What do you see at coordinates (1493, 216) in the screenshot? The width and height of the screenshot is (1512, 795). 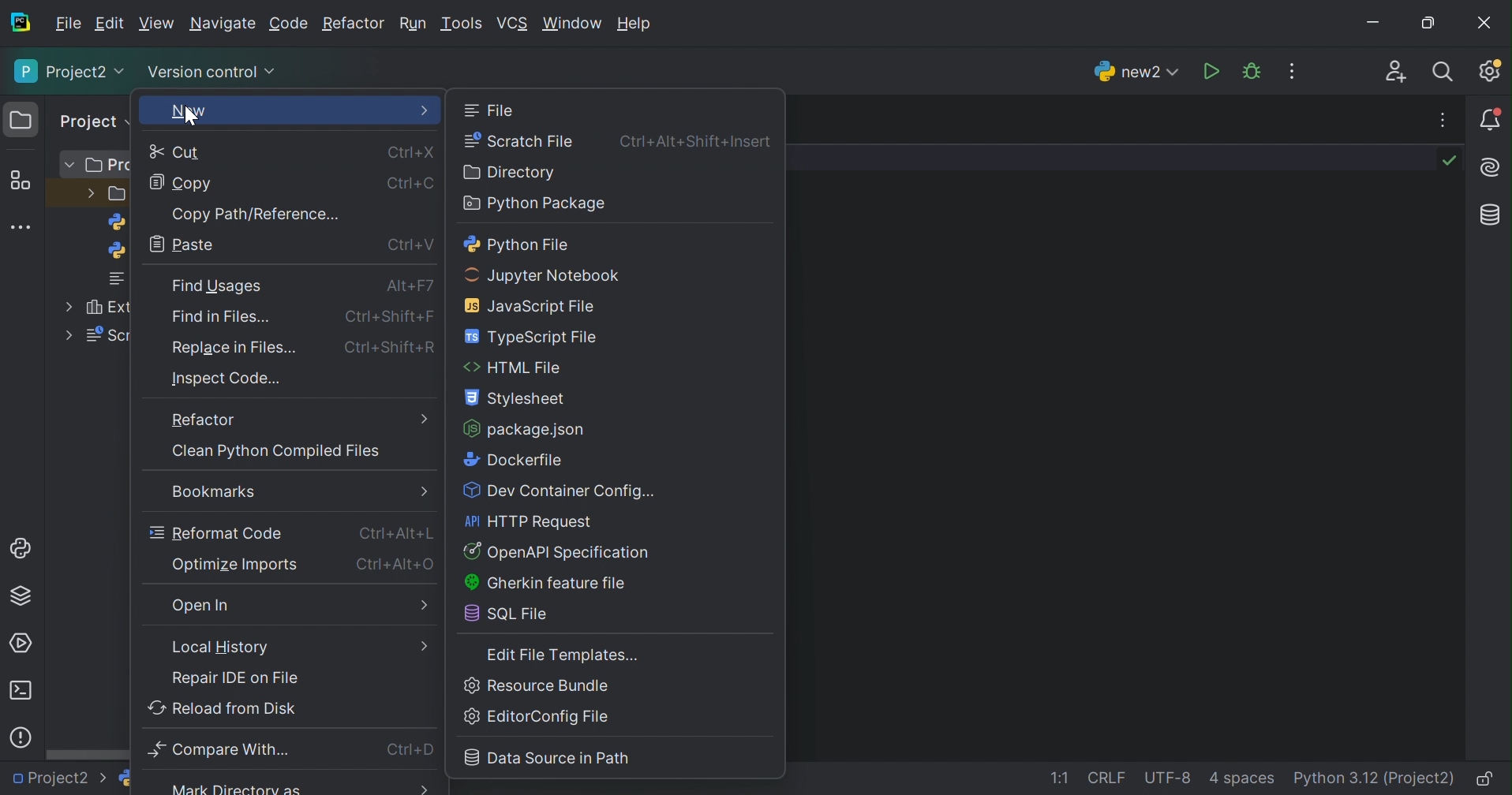 I see `Database` at bounding box center [1493, 216].